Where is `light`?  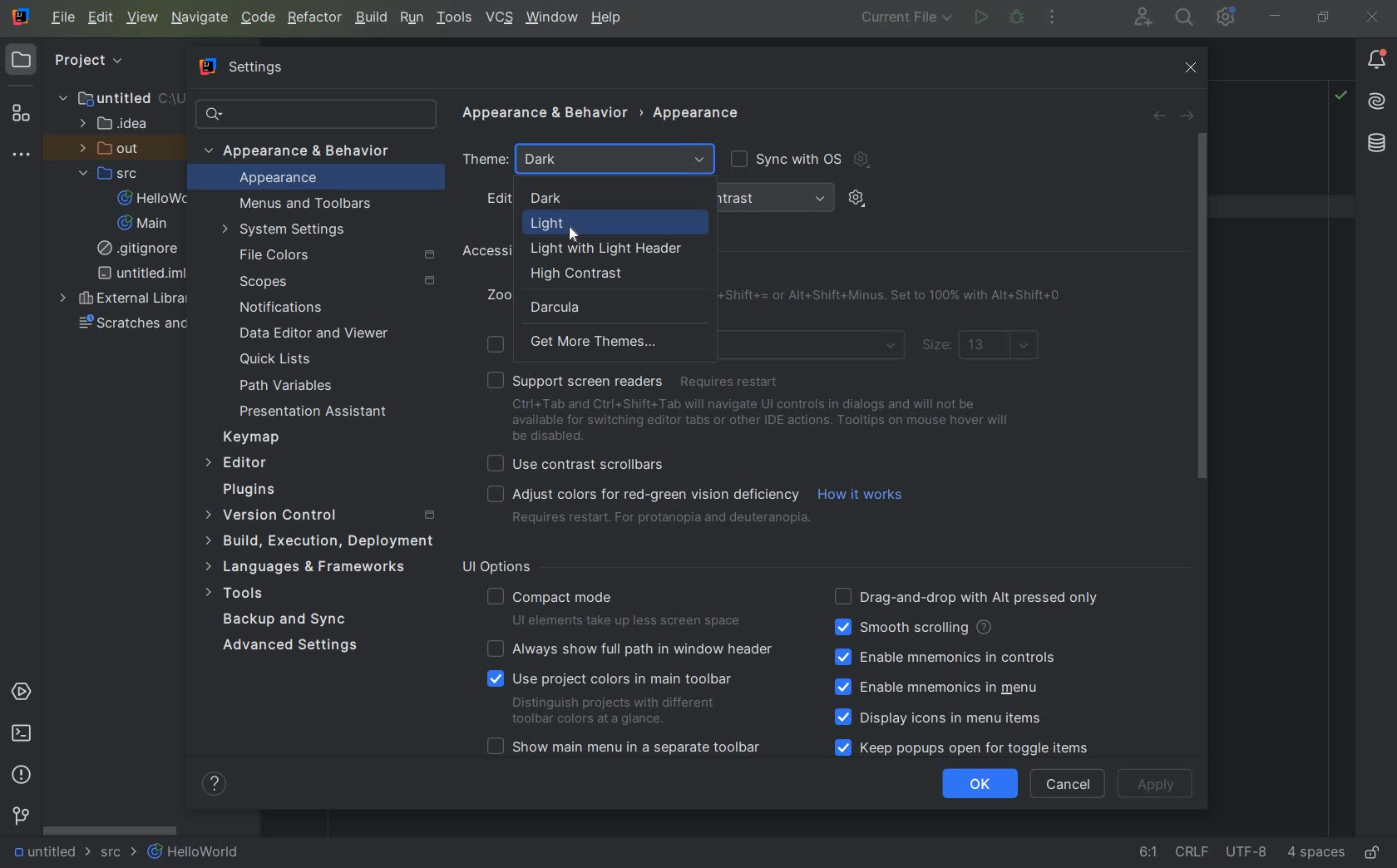 light is located at coordinates (562, 223).